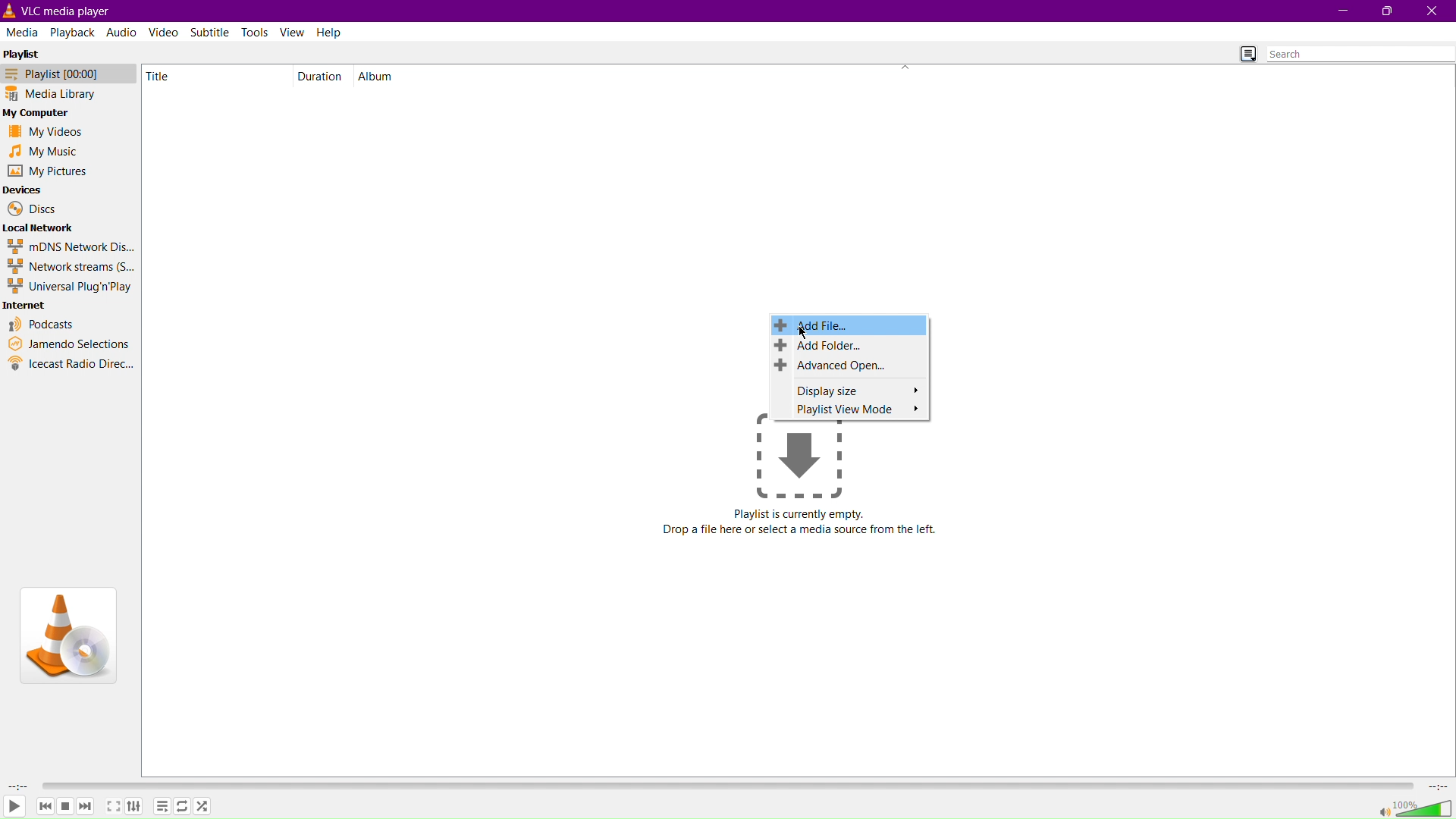  Describe the element at coordinates (380, 76) in the screenshot. I see `Album` at that location.